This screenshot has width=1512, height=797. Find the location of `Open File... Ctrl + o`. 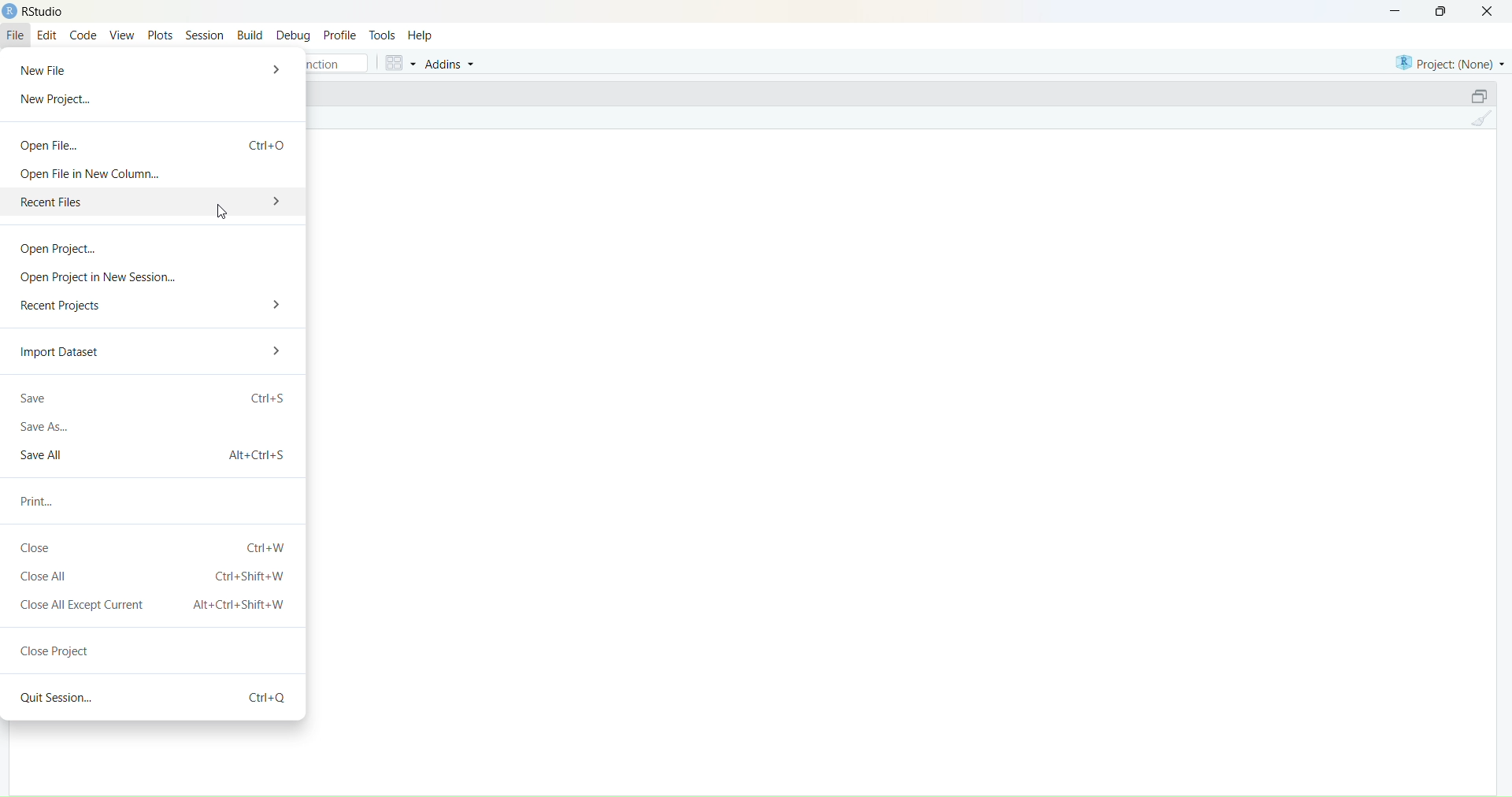

Open File... Ctrl + o is located at coordinates (154, 140).